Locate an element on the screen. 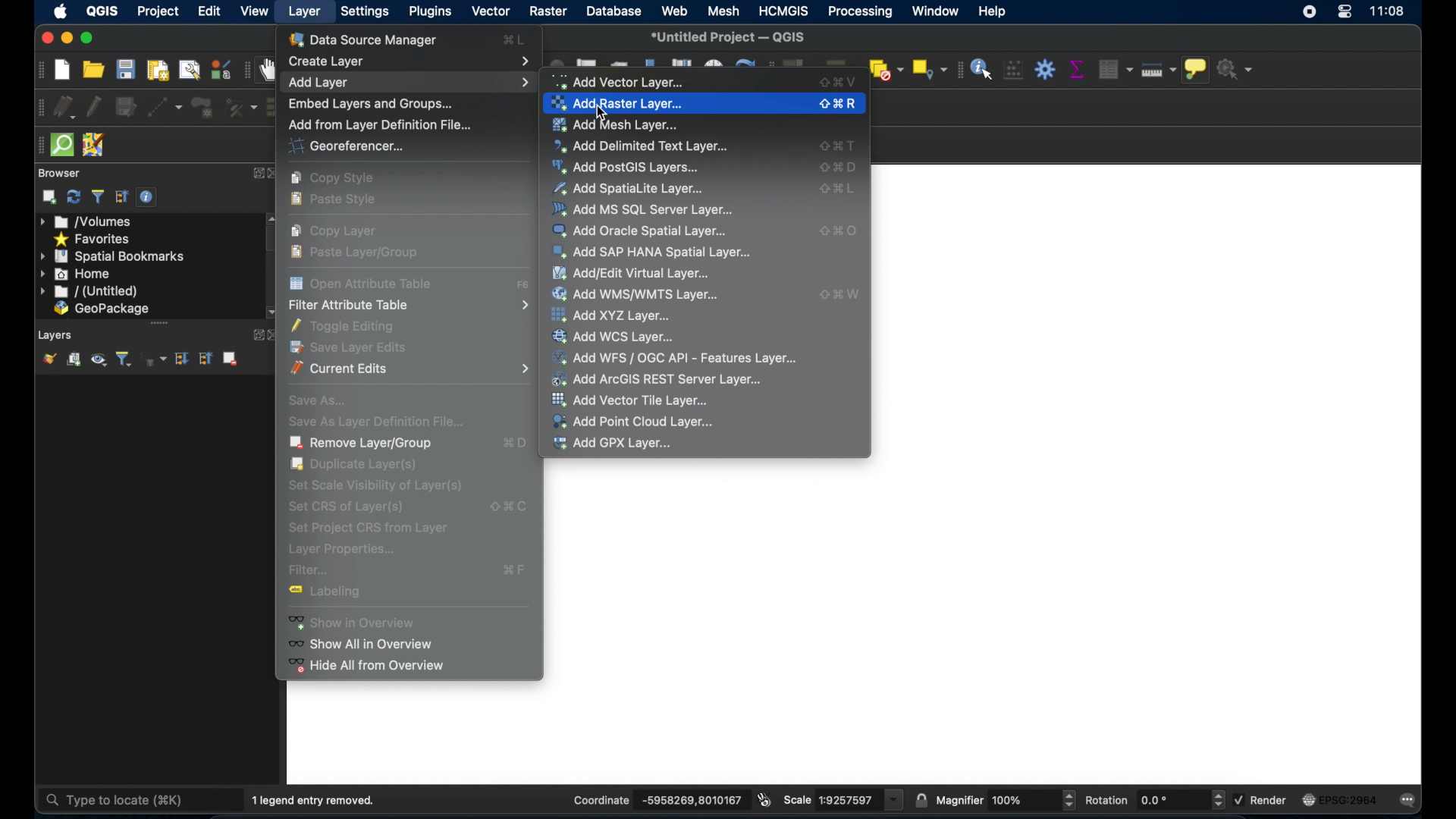 This screenshot has height=819, width=1456. map navigation toolbar is located at coordinates (247, 70).